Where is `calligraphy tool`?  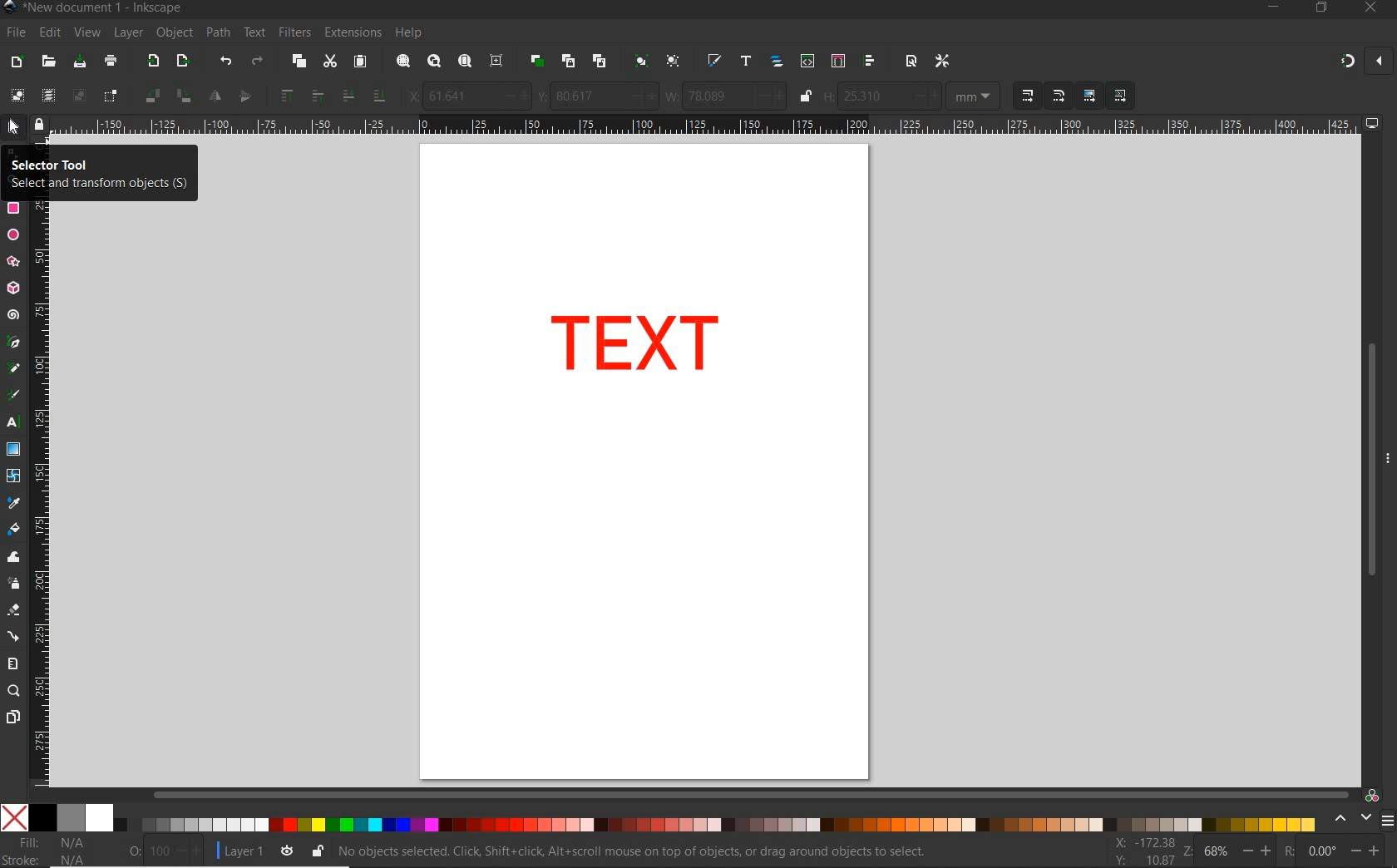
calligraphy tool is located at coordinates (17, 396).